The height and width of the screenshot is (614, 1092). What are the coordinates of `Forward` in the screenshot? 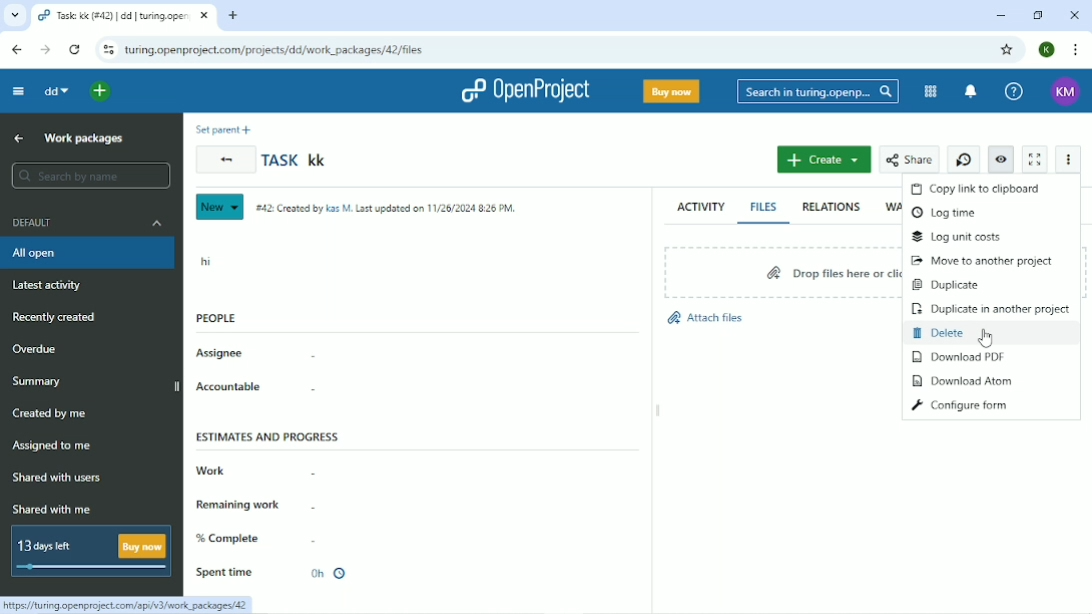 It's located at (48, 50).